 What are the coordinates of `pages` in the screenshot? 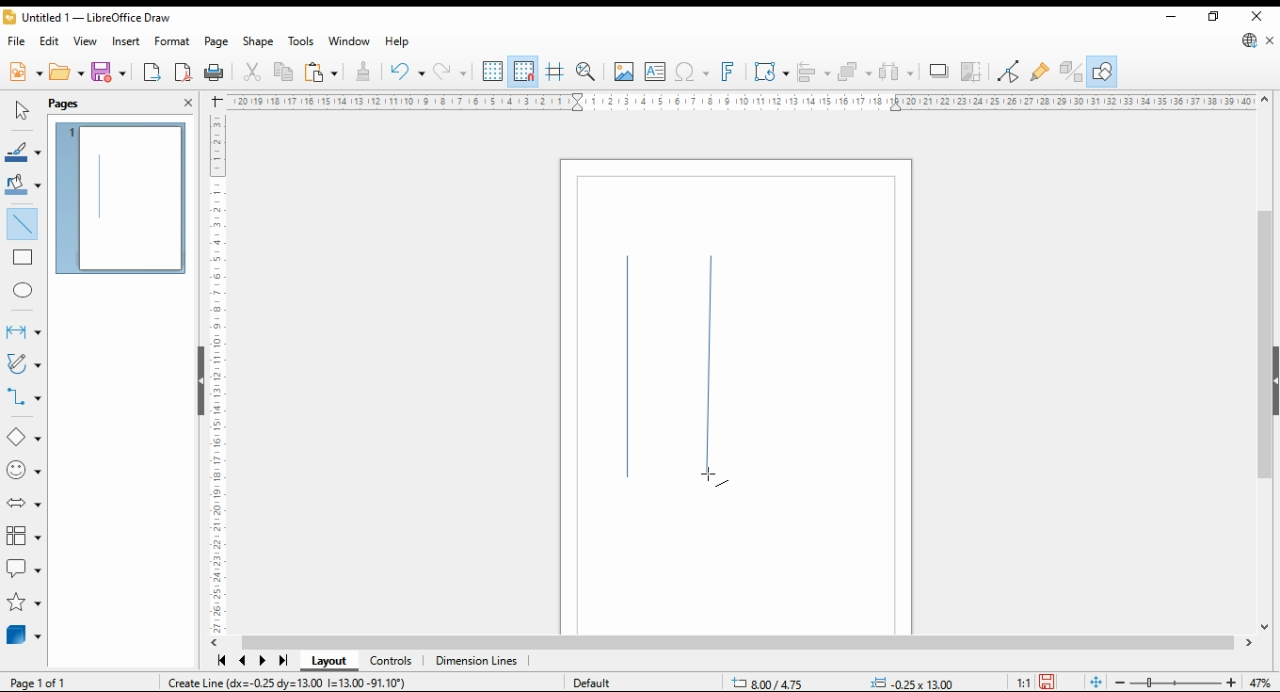 It's located at (82, 102).